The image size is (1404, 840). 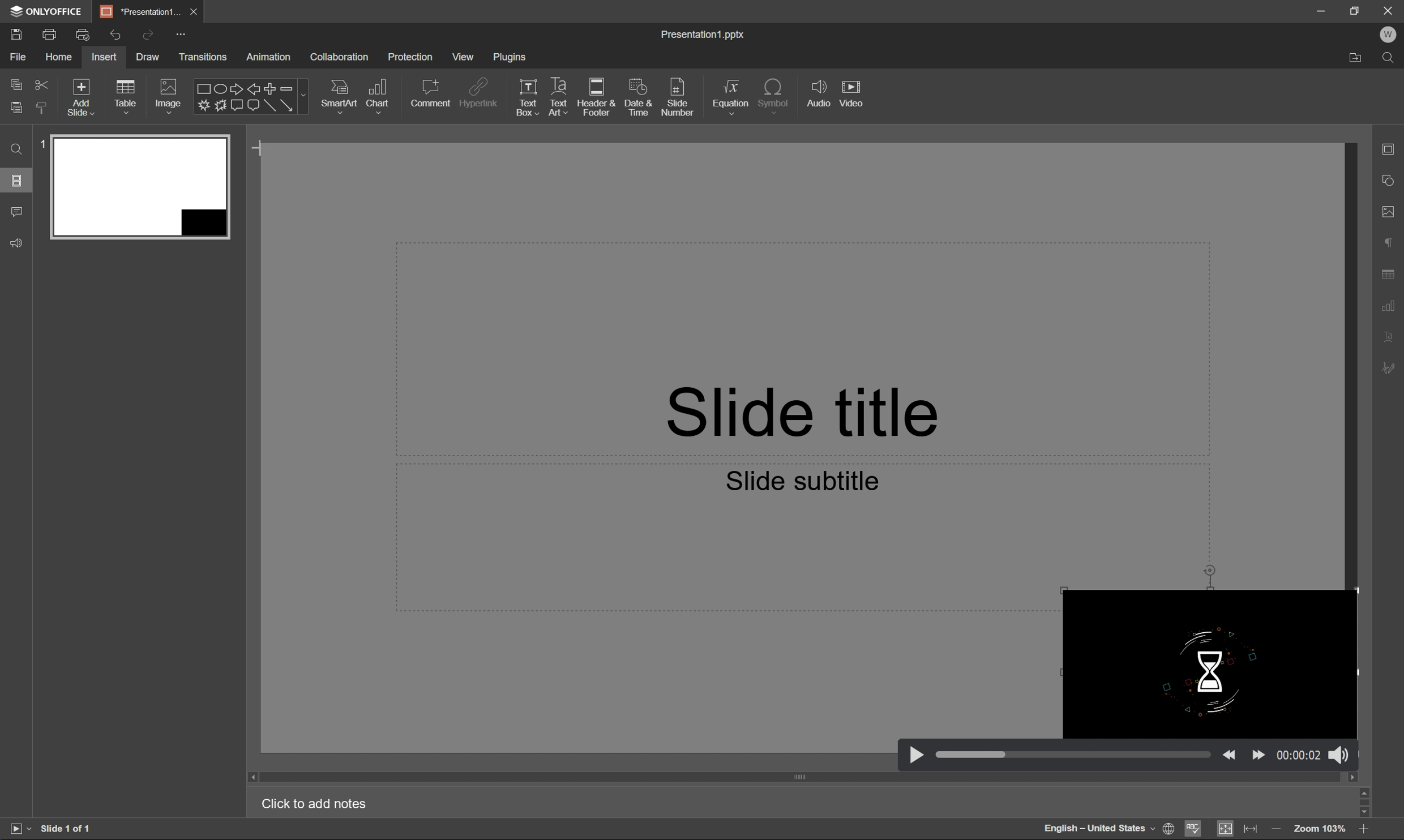 What do you see at coordinates (1391, 368) in the screenshot?
I see `signature settings` at bounding box center [1391, 368].